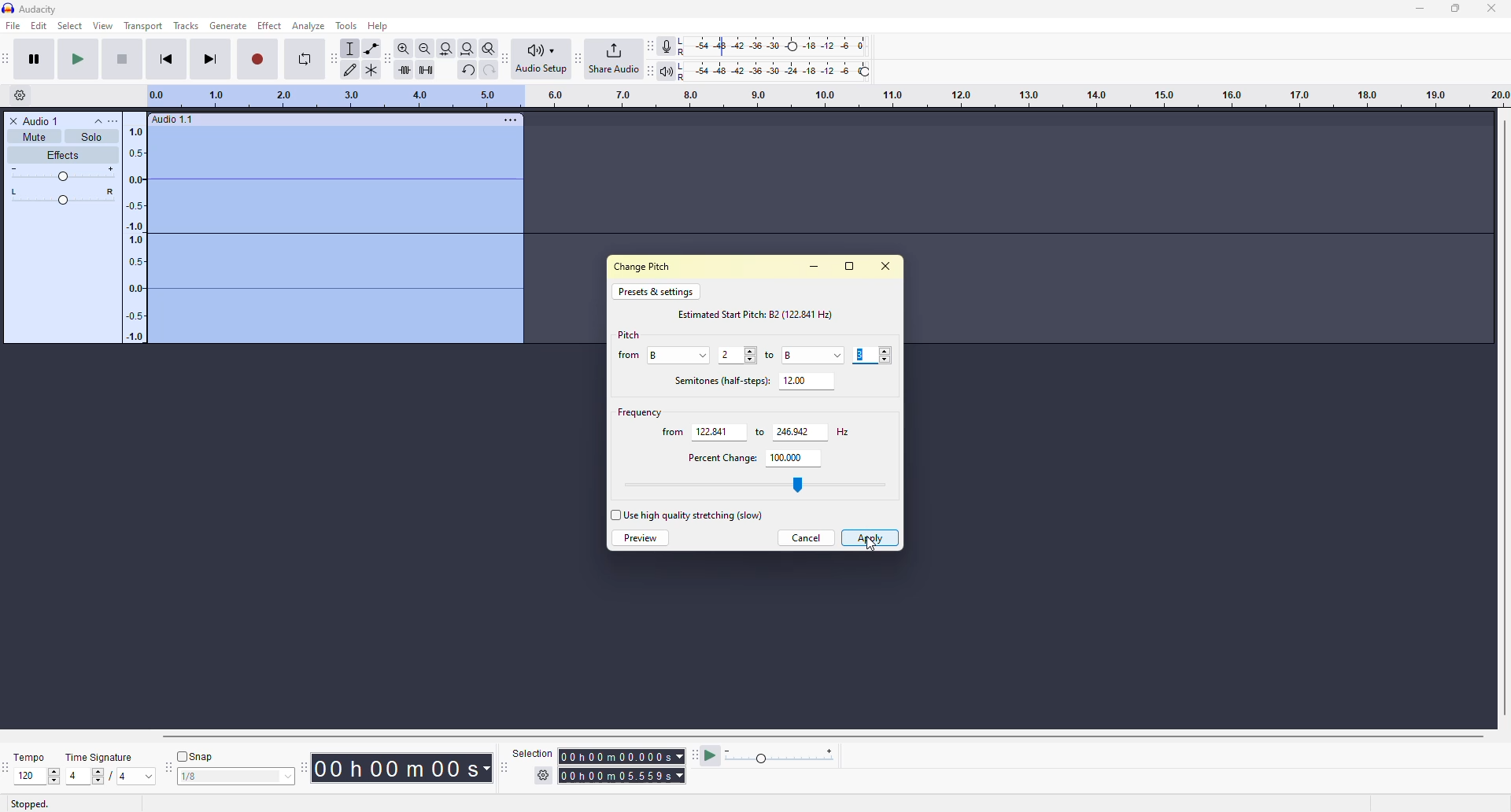 The image size is (1511, 812). What do you see at coordinates (382, 27) in the screenshot?
I see `help` at bounding box center [382, 27].